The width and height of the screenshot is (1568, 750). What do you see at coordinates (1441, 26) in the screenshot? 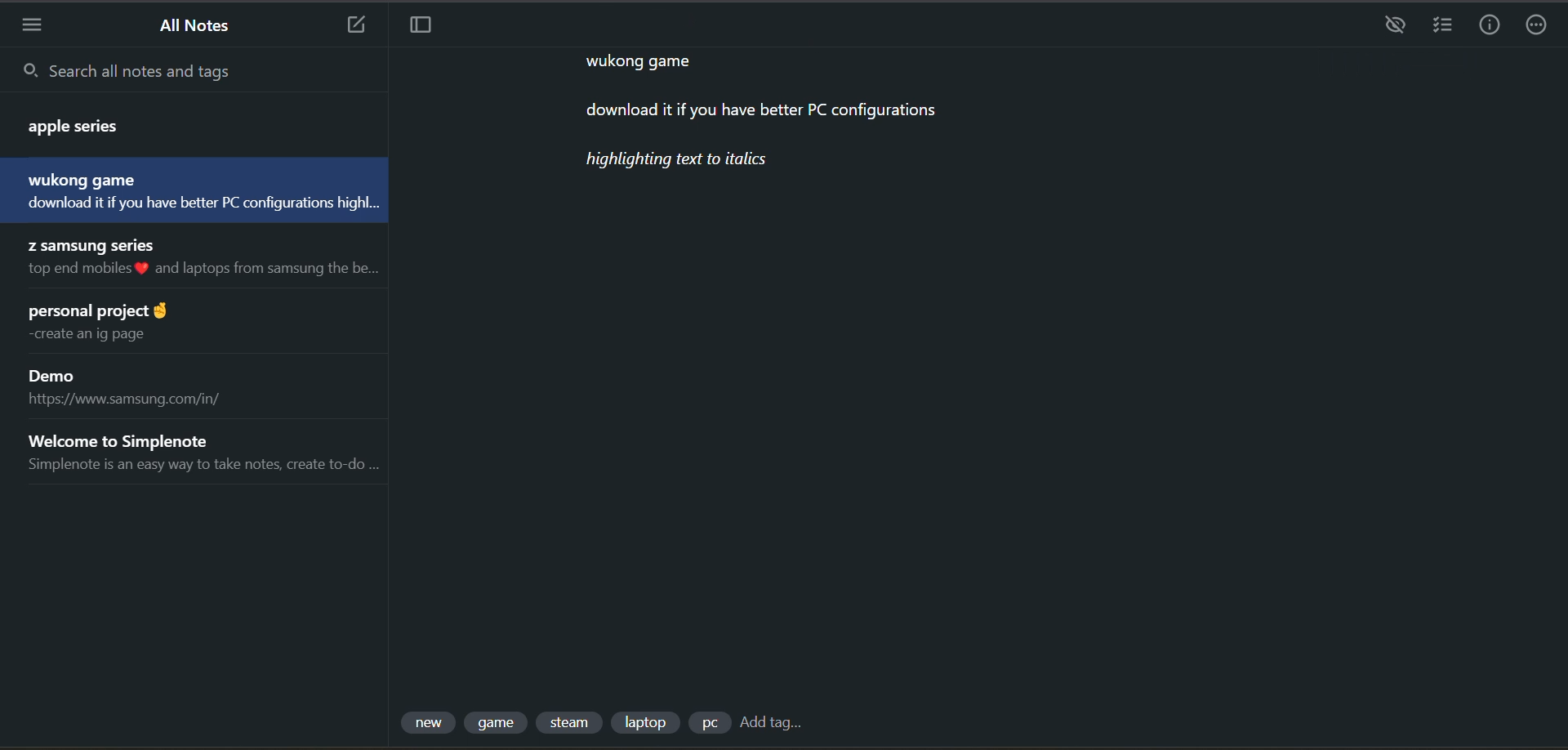
I see `insert checklist` at bounding box center [1441, 26].